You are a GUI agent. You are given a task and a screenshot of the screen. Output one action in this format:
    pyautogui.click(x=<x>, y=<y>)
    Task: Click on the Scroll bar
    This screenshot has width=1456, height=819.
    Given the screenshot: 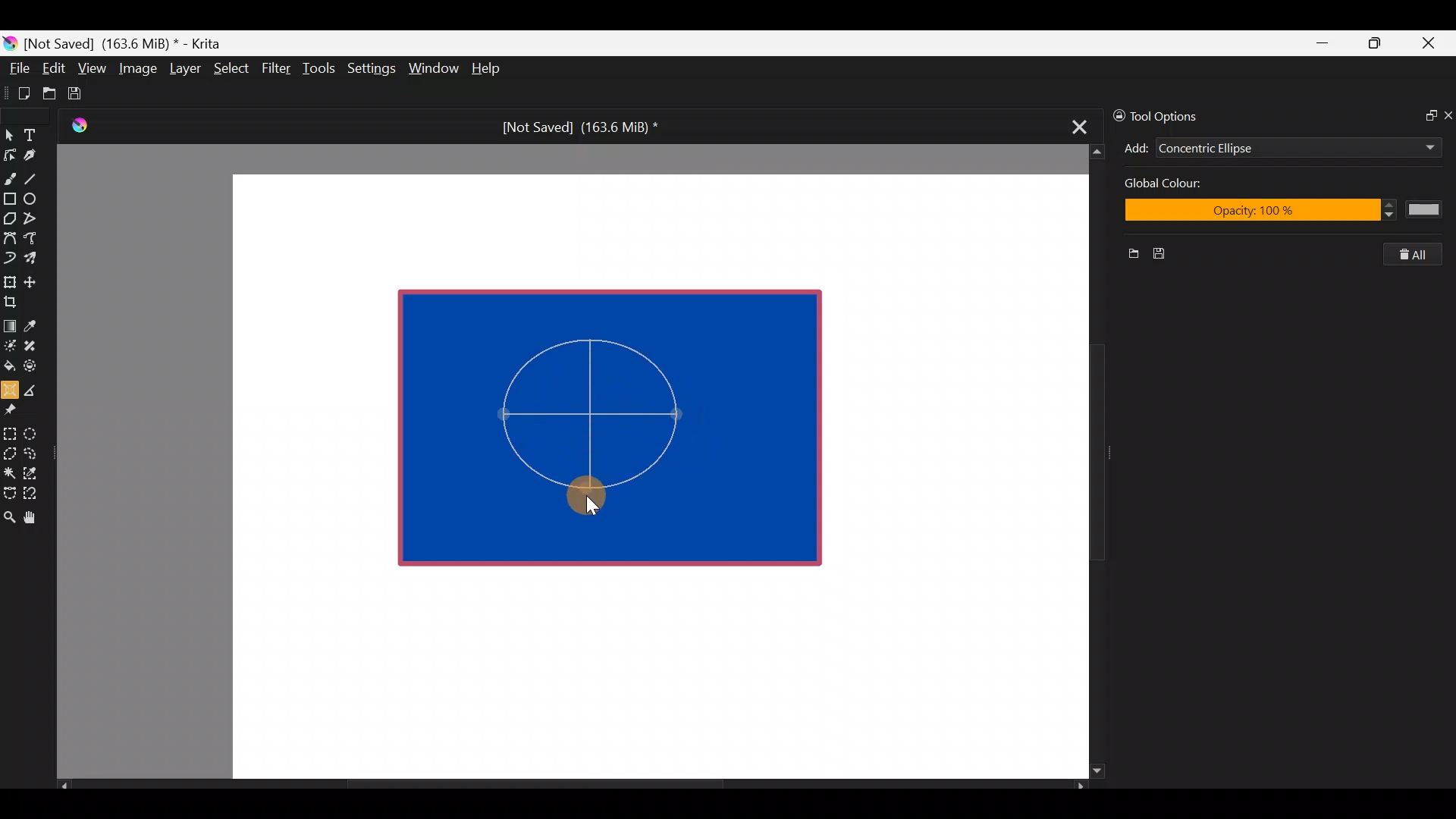 What is the action you would take?
    pyautogui.click(x=1086, y=462)
    